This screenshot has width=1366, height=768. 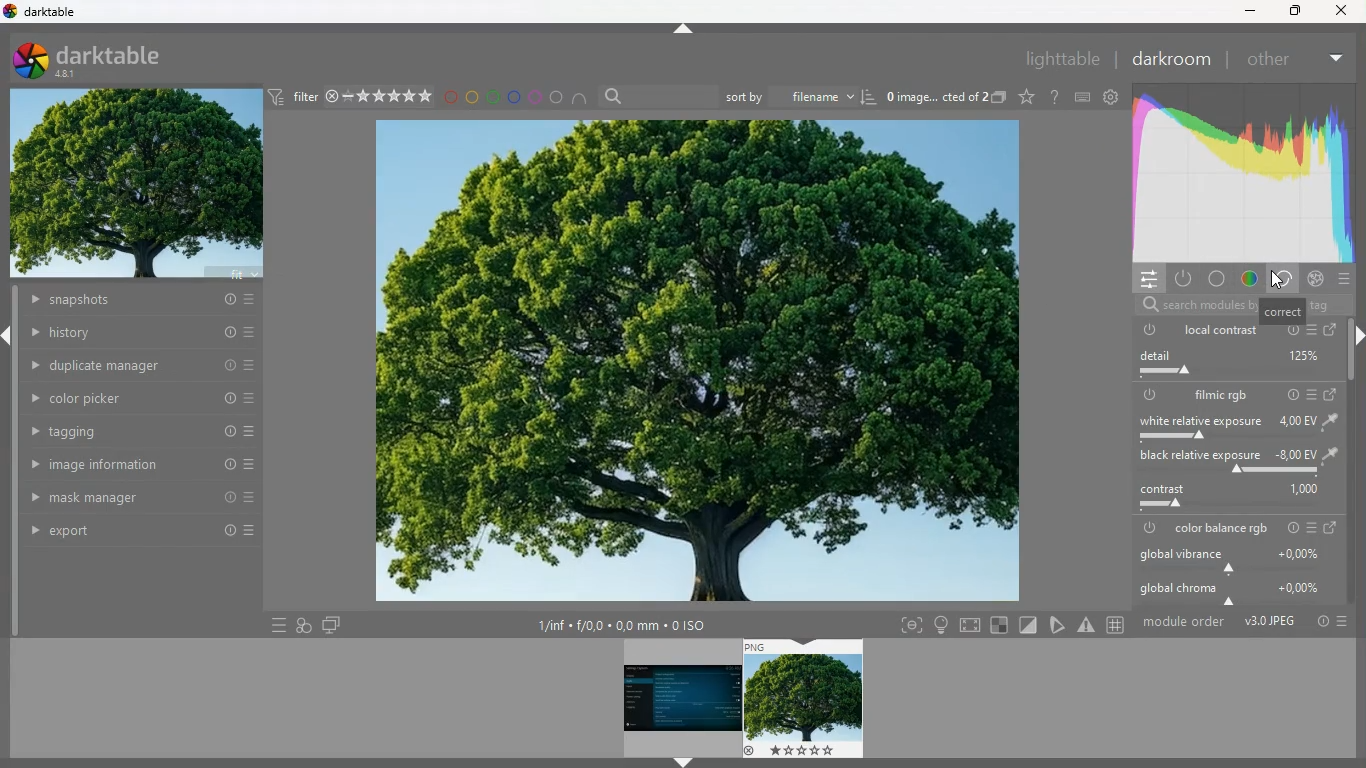 I want to click on settings, so click(x=1114, y=97).